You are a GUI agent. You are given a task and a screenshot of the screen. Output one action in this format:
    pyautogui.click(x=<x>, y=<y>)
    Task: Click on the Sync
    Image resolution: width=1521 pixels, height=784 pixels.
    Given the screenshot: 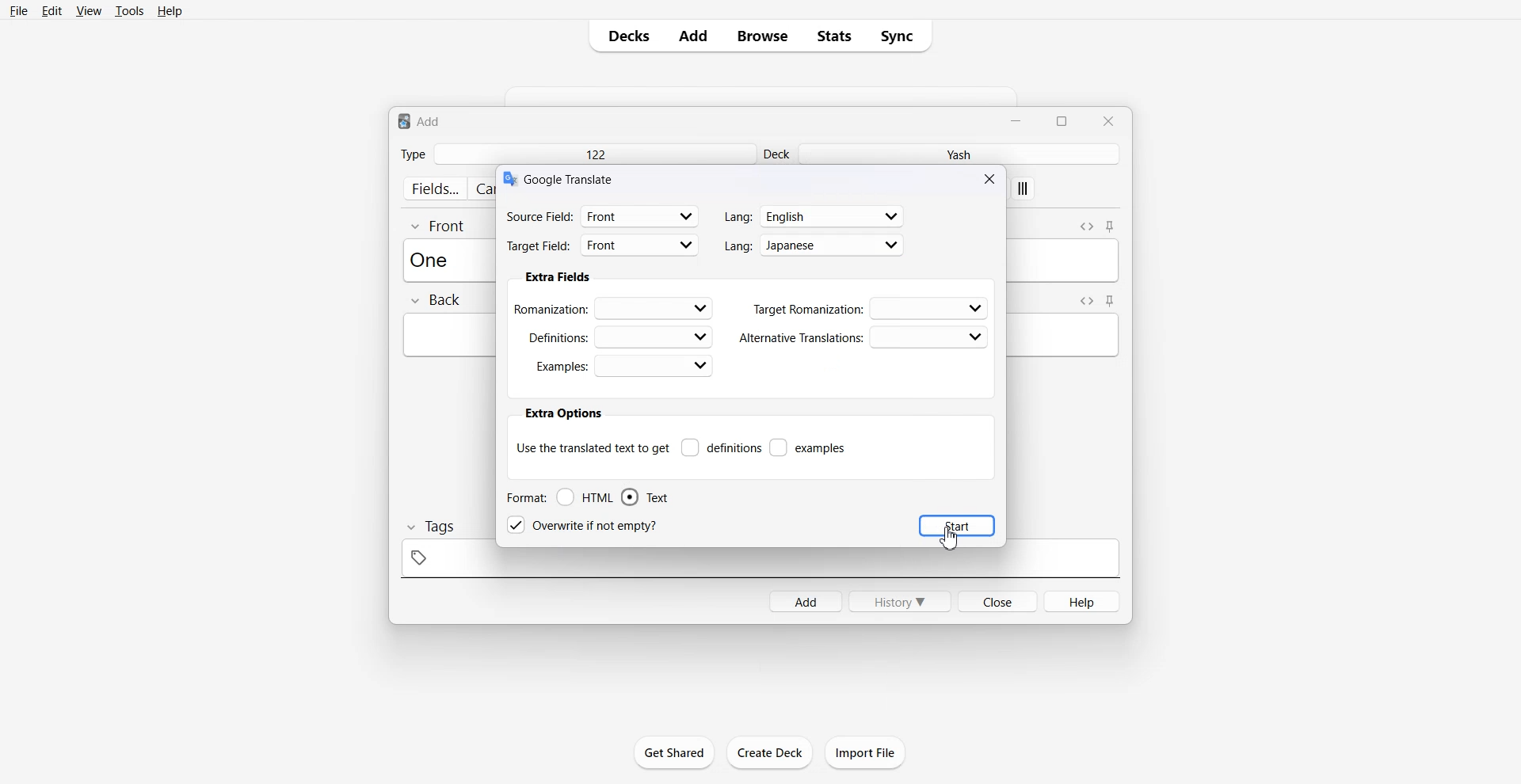 What is the action you would take?
    pyautogui.click(x=902, y=36)
    